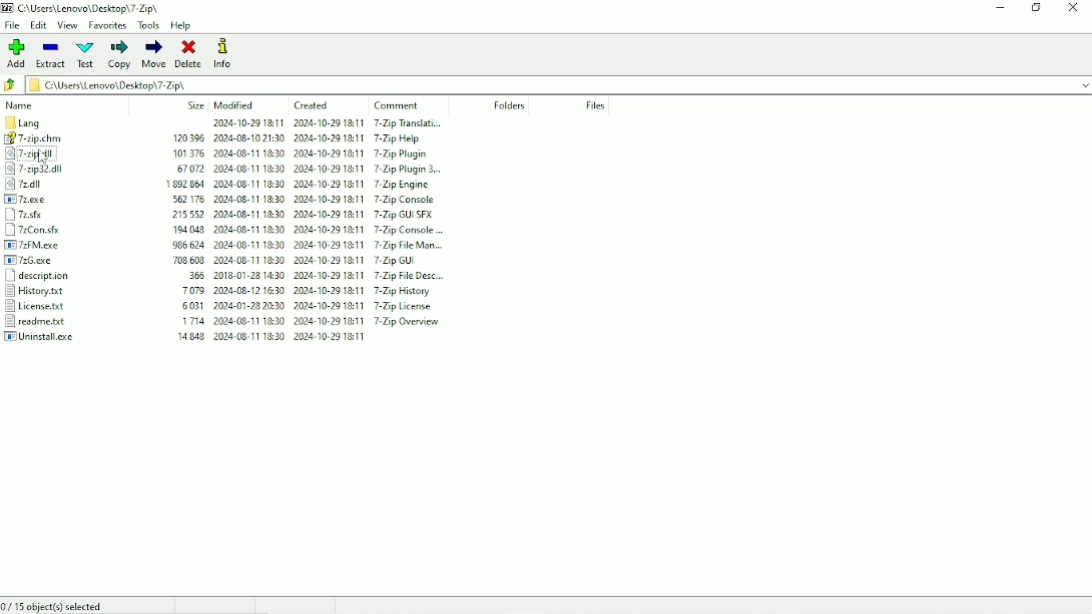 The height and width of the screenshot is (614, 1092). Describe the element at coordinates (15, 53) in the screenshot. I see `Add` at that location.